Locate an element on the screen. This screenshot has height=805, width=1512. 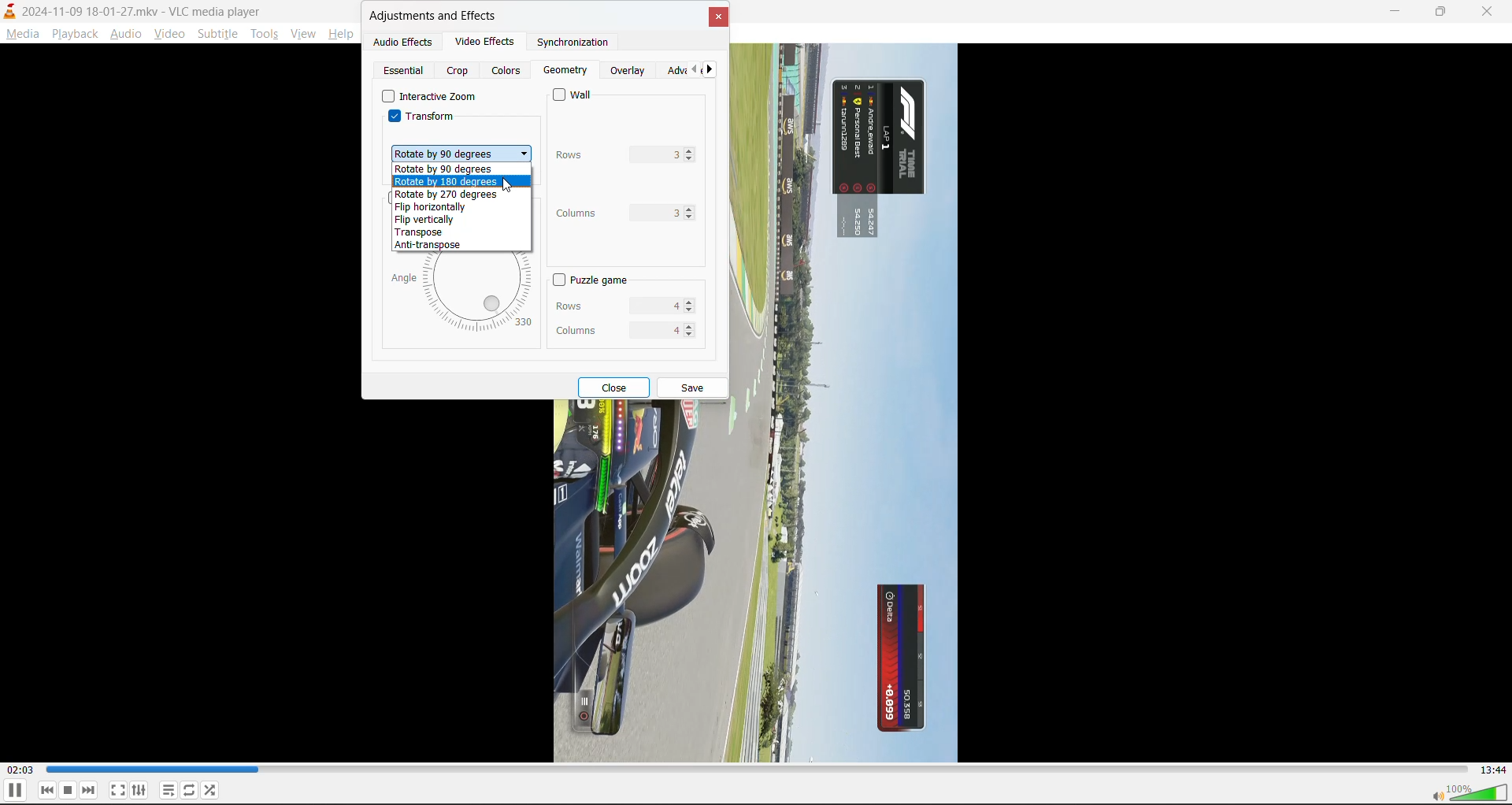
current track time is located at coordinates (19, 770).